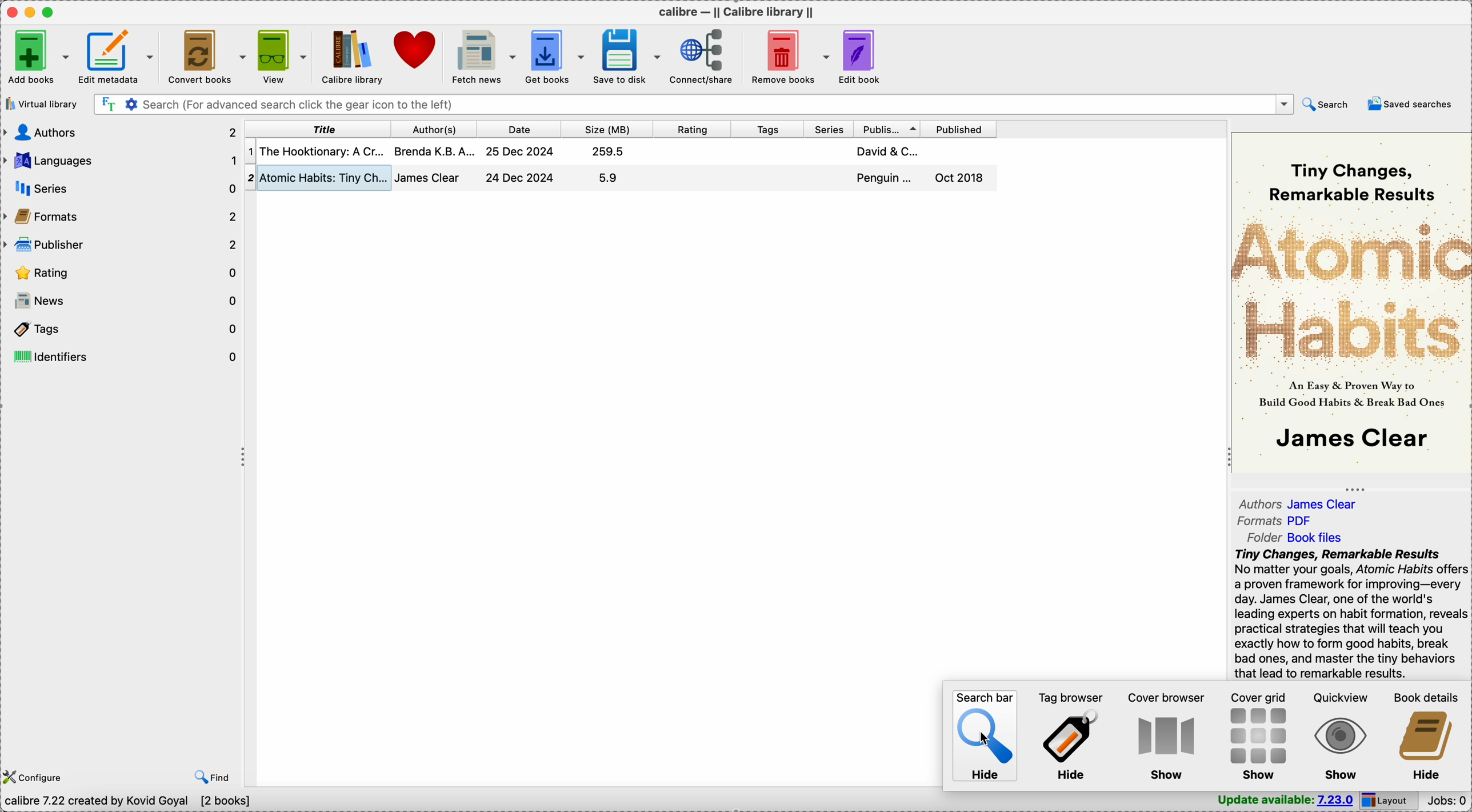 The width and height of the screenshot is (1472, 812). I want to click on get books, so click(554, 55).